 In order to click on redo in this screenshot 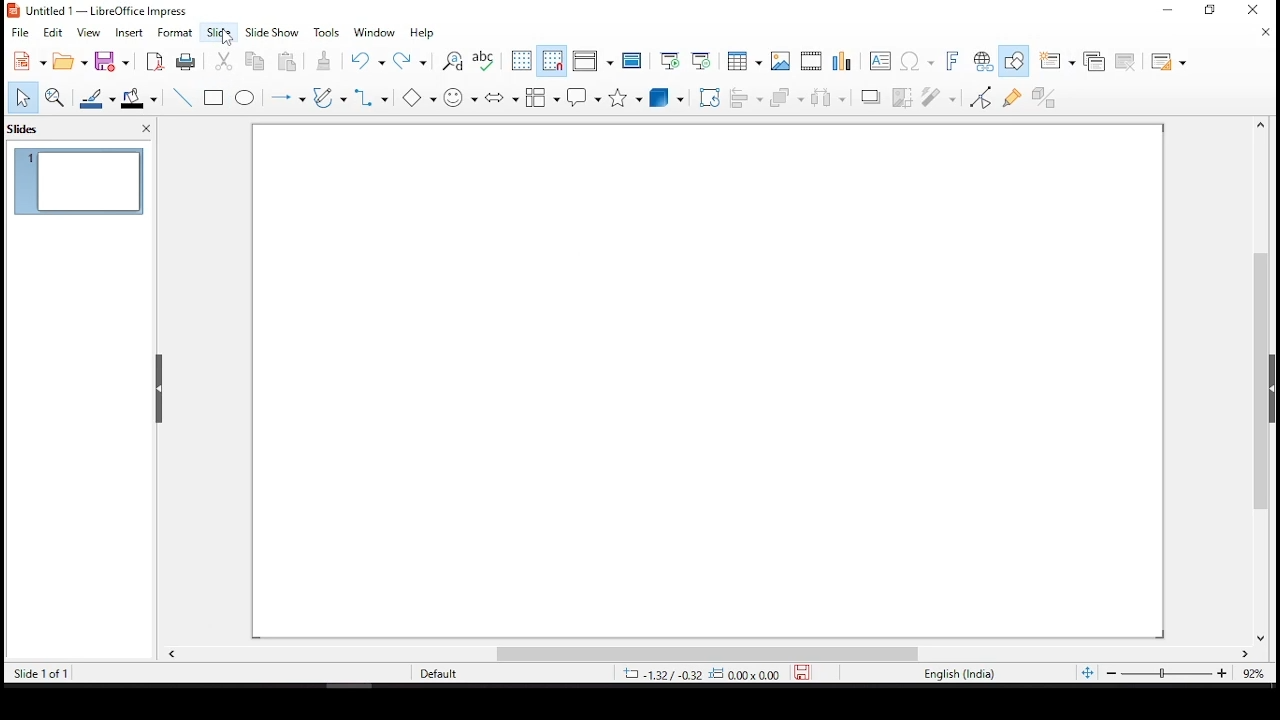, I will do `click(412, 62)`.